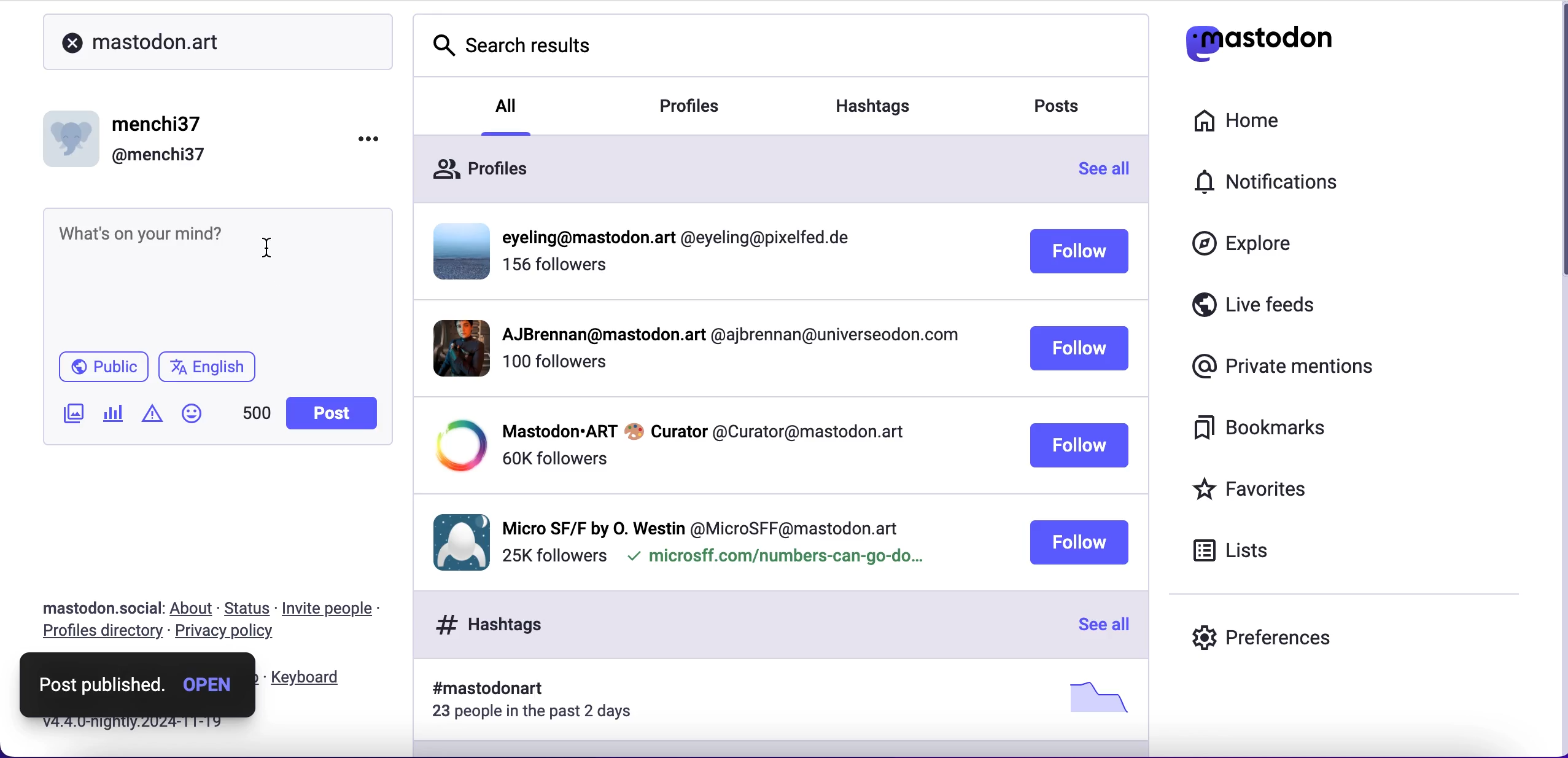 The height and width of the screenshot is (758, 1568). Describe the element at coordinates (480, 689) in the screenshot. I see `hashtag` at that location.